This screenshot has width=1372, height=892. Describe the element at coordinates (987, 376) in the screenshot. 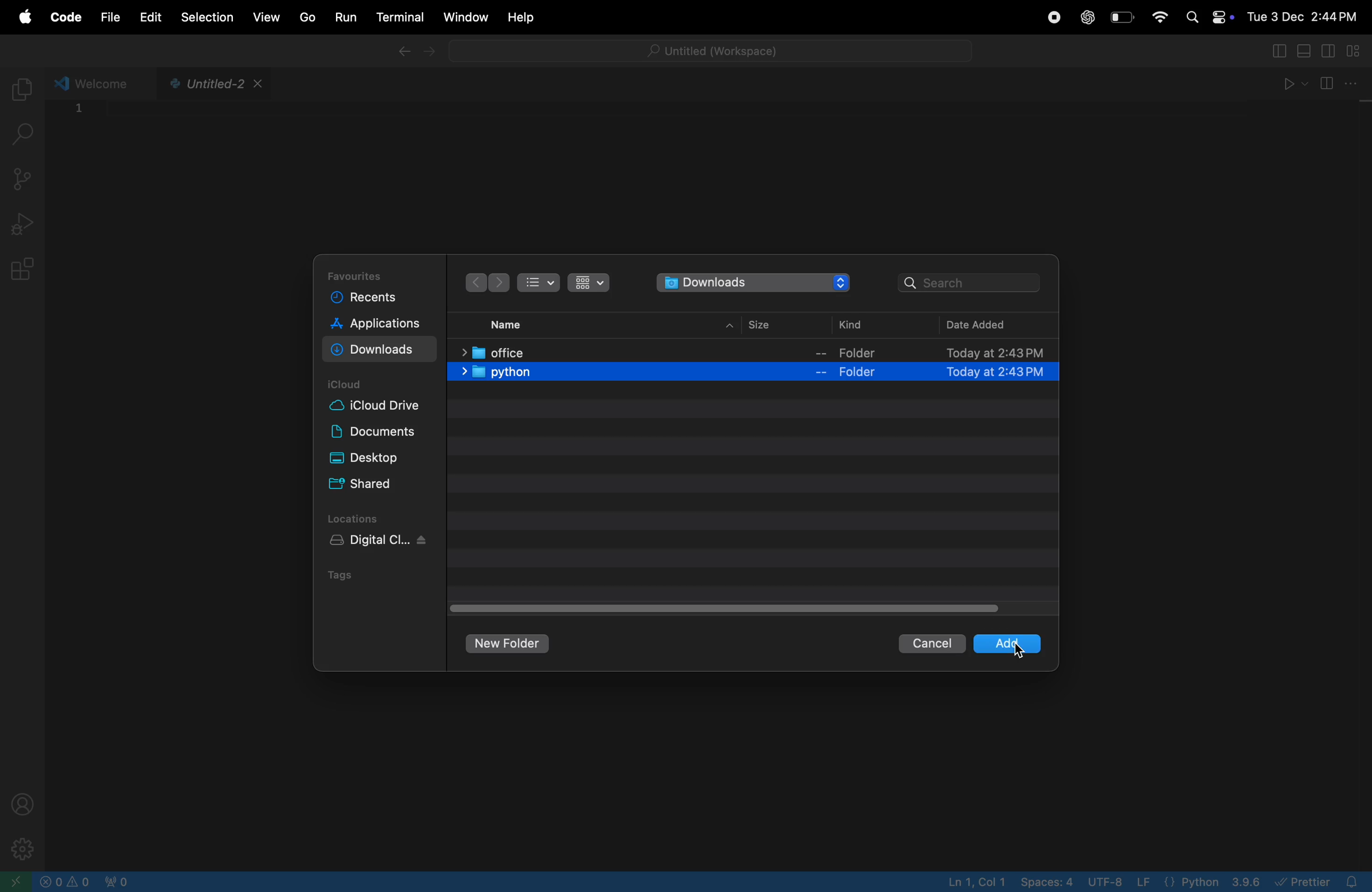

I see `date time` at that location.